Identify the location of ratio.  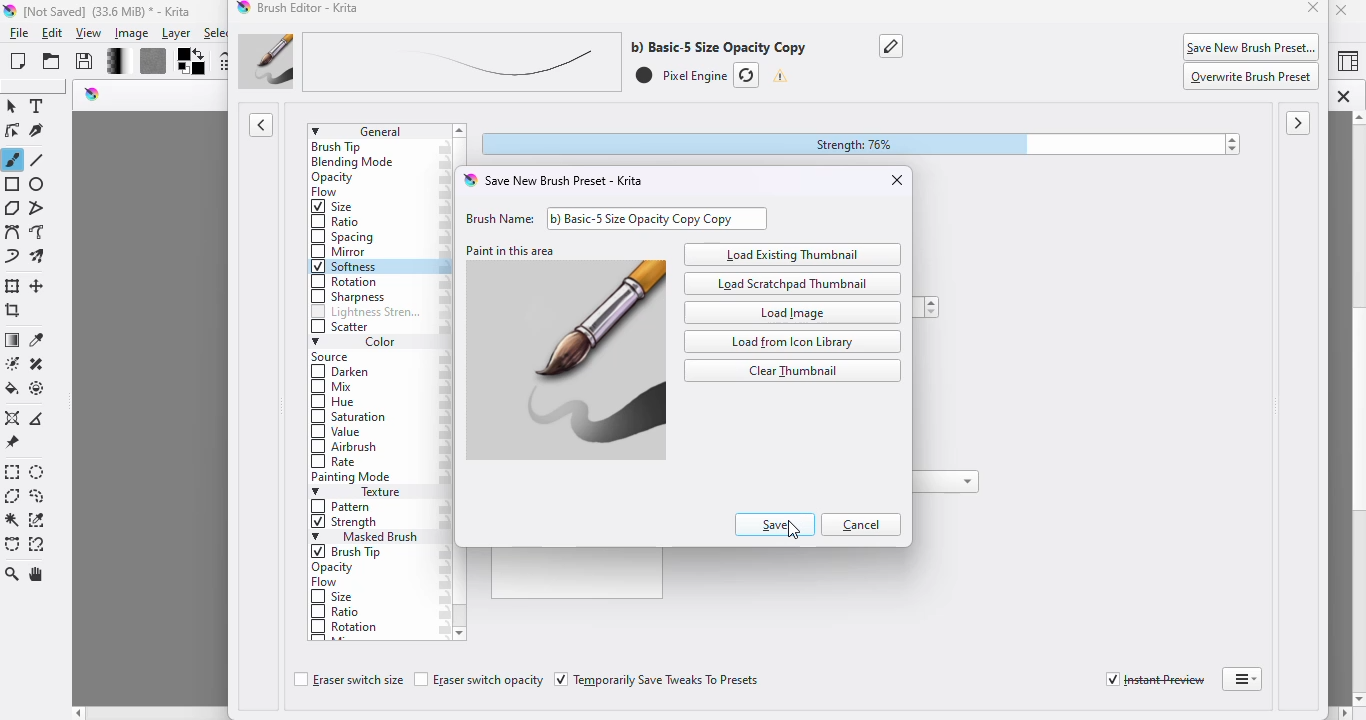
(333, 221).